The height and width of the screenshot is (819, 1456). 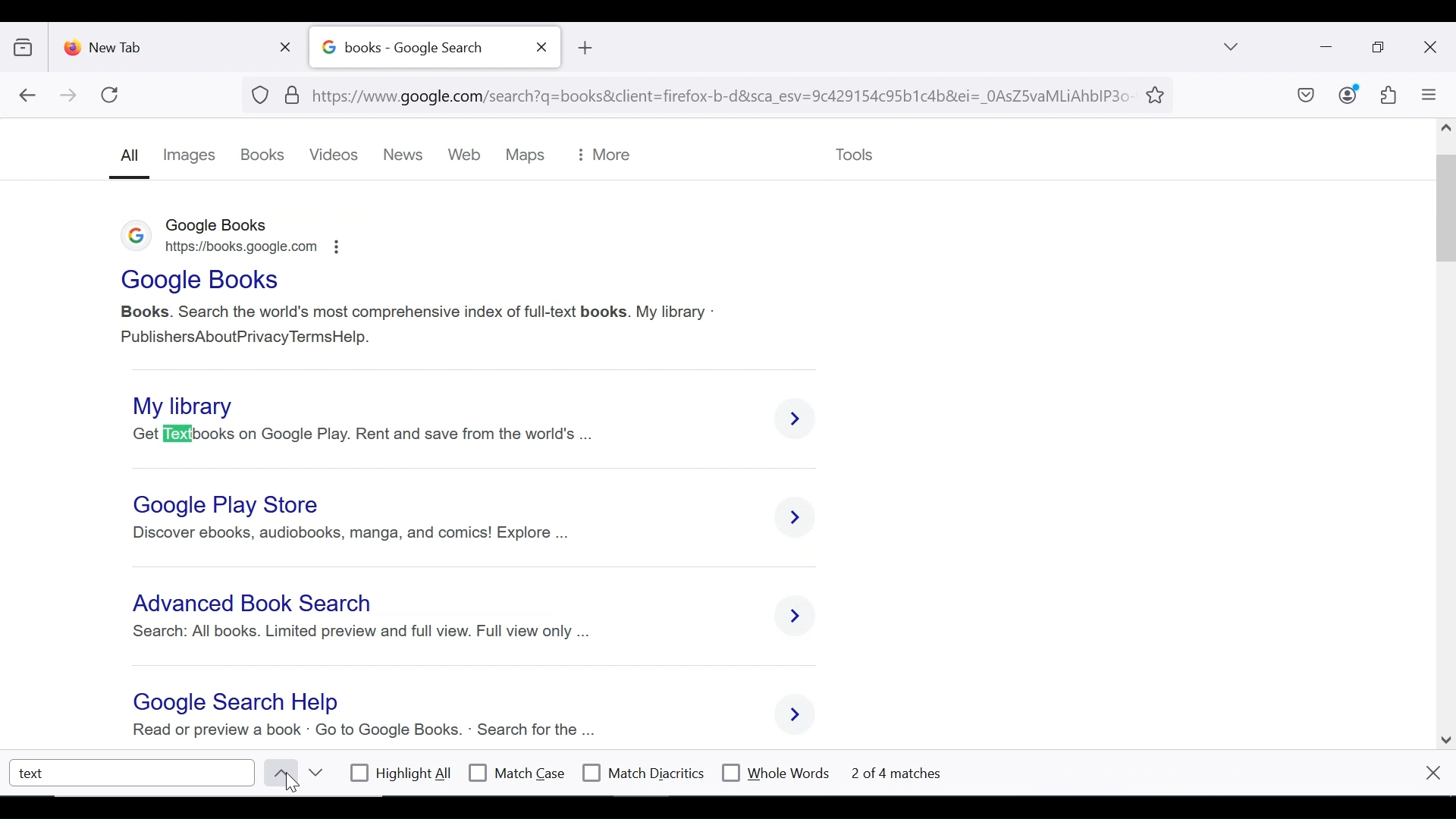 What do you see at coordinates (1432, 772) in the screenshot?
I see `close` at bounding box center [1432, 772].